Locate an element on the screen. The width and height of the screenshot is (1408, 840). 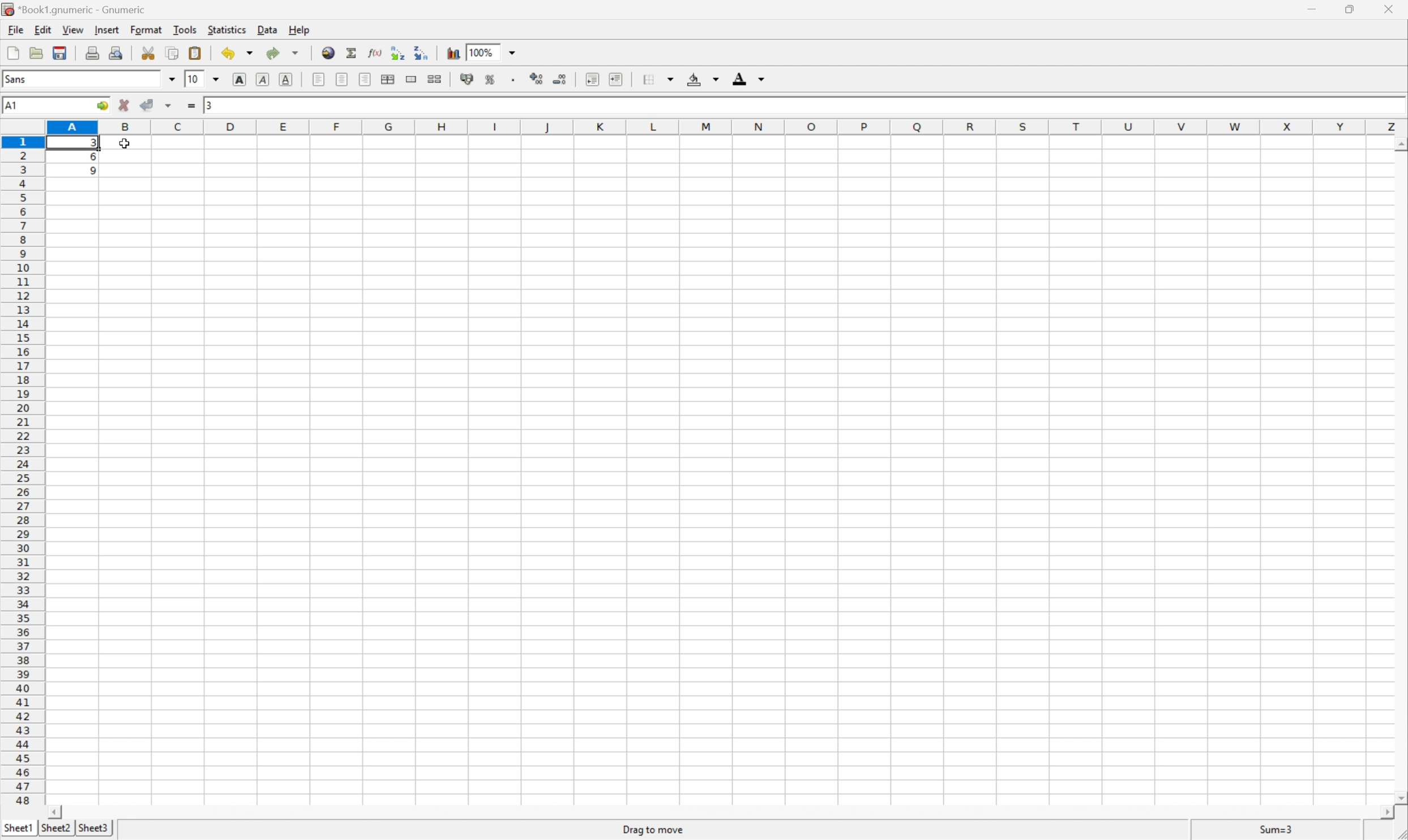
Split the ranges of merged cells is located at coordinates (434, 79).